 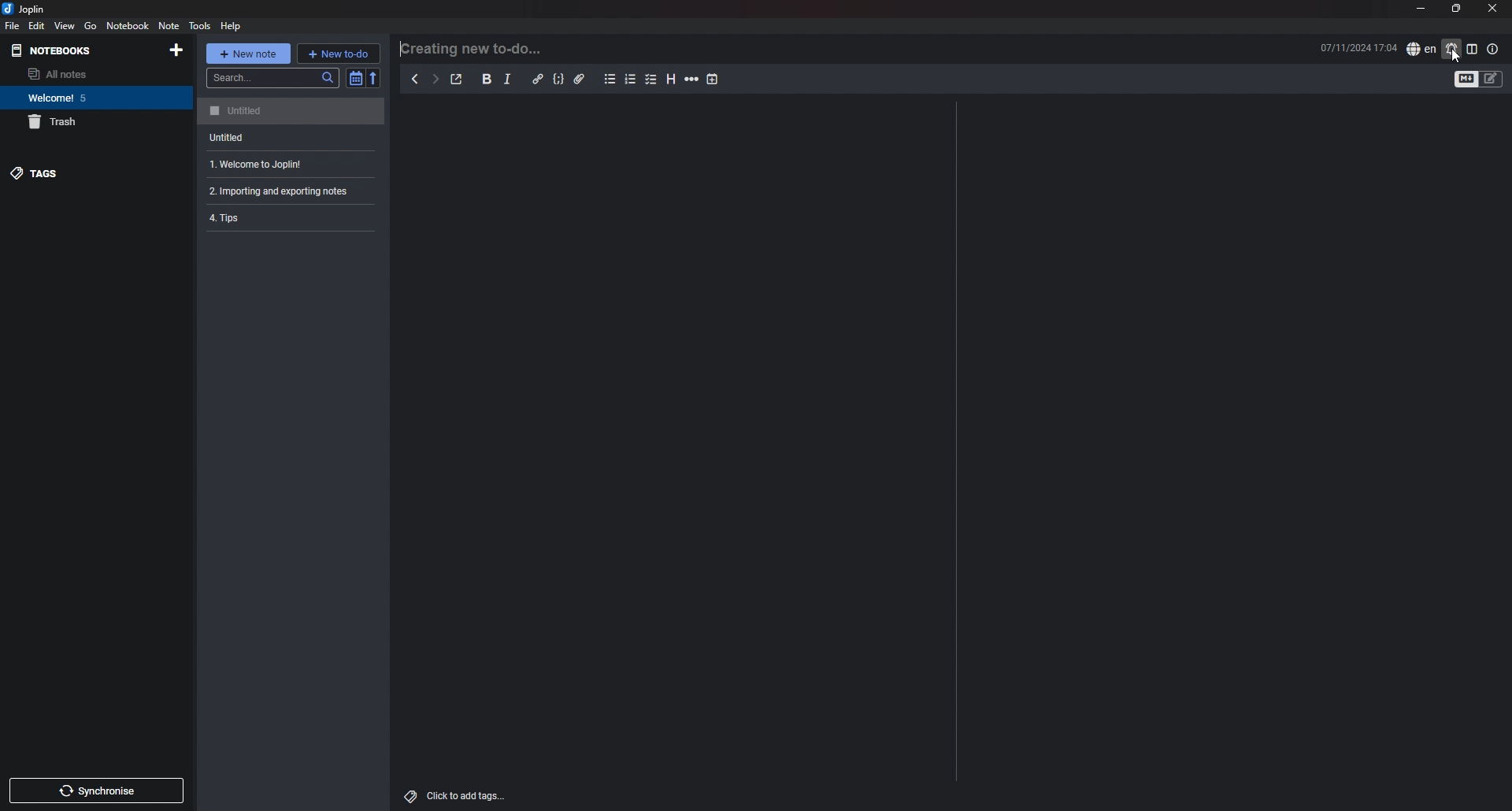 What do you see at coordinates (91, 26) in the screenshot?
I see `go` at bounding box center [91, 26].